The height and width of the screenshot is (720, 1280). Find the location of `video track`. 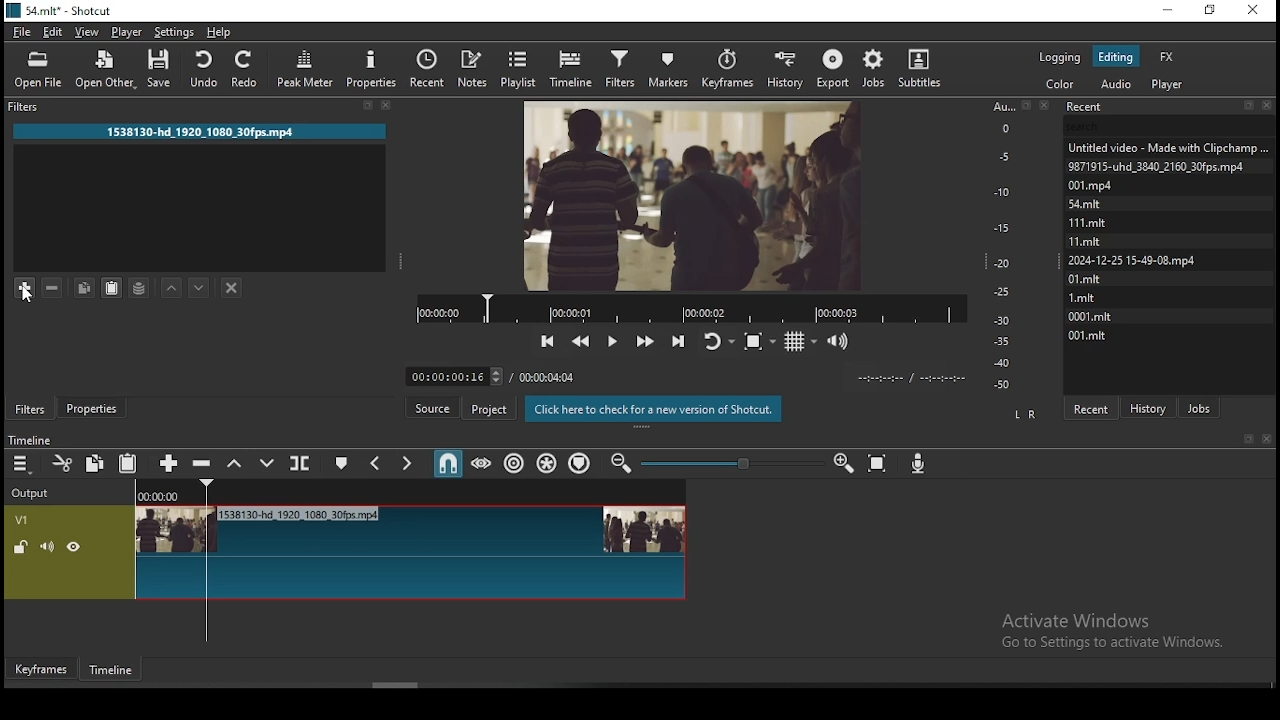

video track is located at coordinates (347, 553).